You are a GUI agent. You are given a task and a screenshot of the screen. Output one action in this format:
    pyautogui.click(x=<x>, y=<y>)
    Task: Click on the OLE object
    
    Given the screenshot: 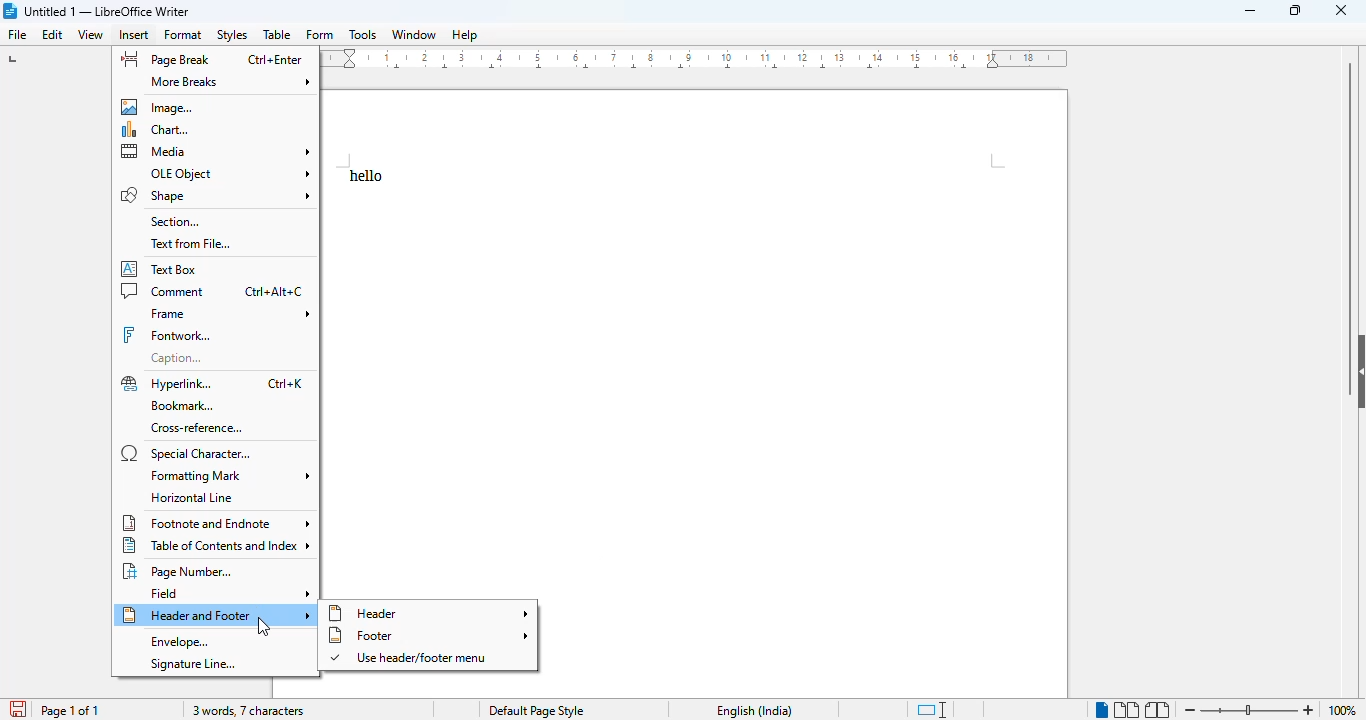 What is the action you would take?
    pyautogui.click(x=229, y=172)
    